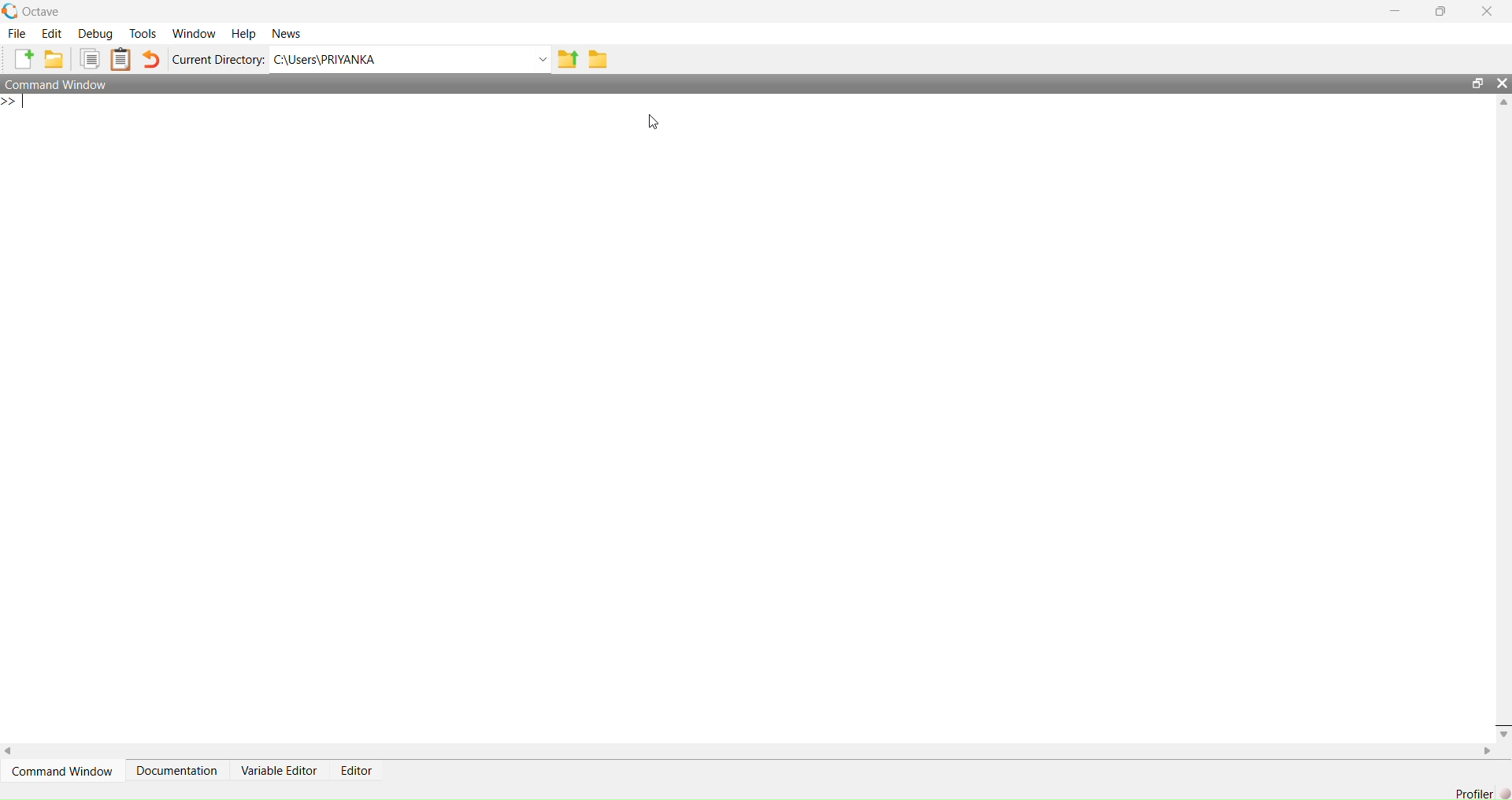 The image size is (1512, 800). I want to click on Create a file, so click(22, 60).